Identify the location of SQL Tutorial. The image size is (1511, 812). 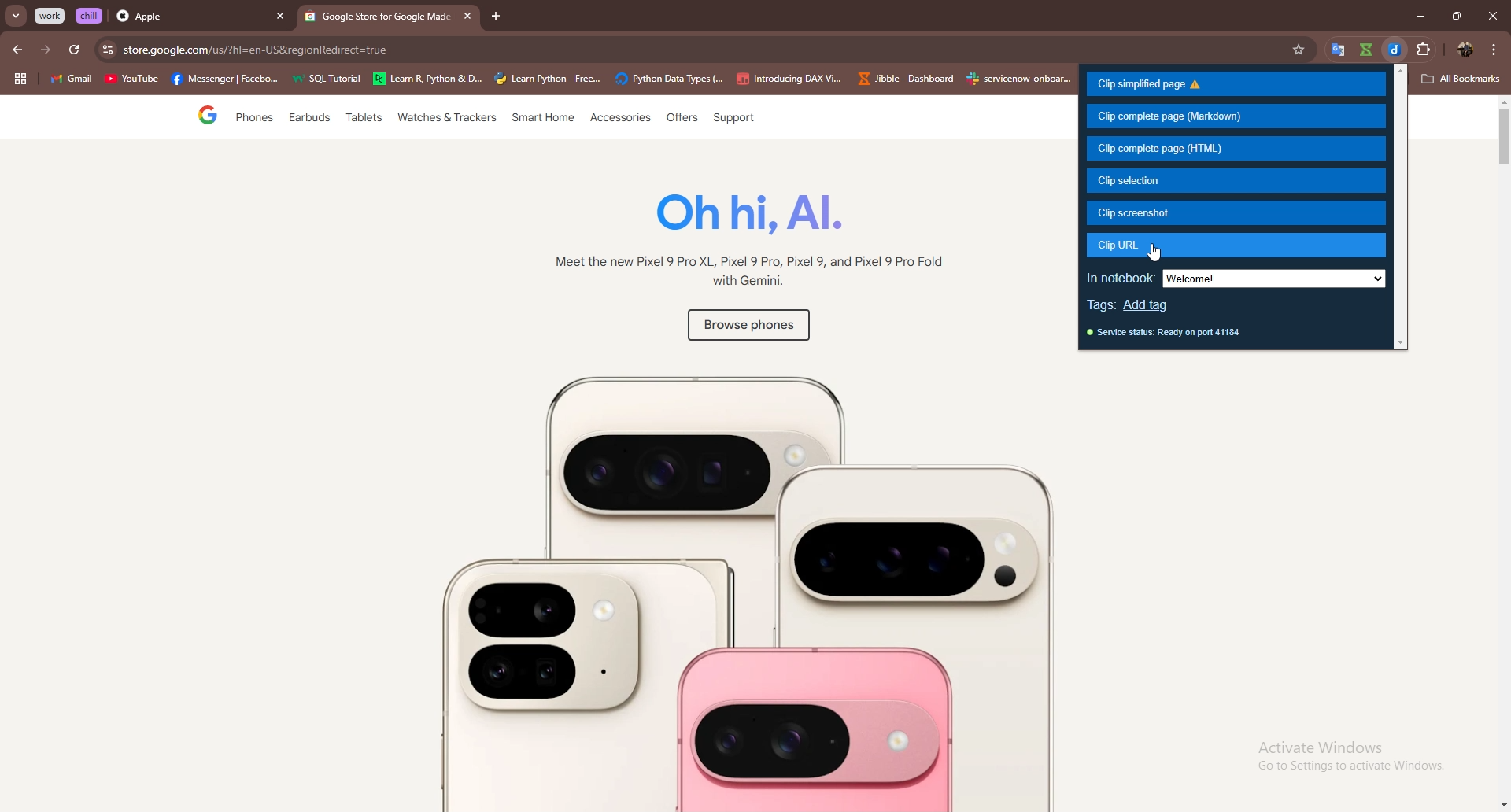
(331, 80).